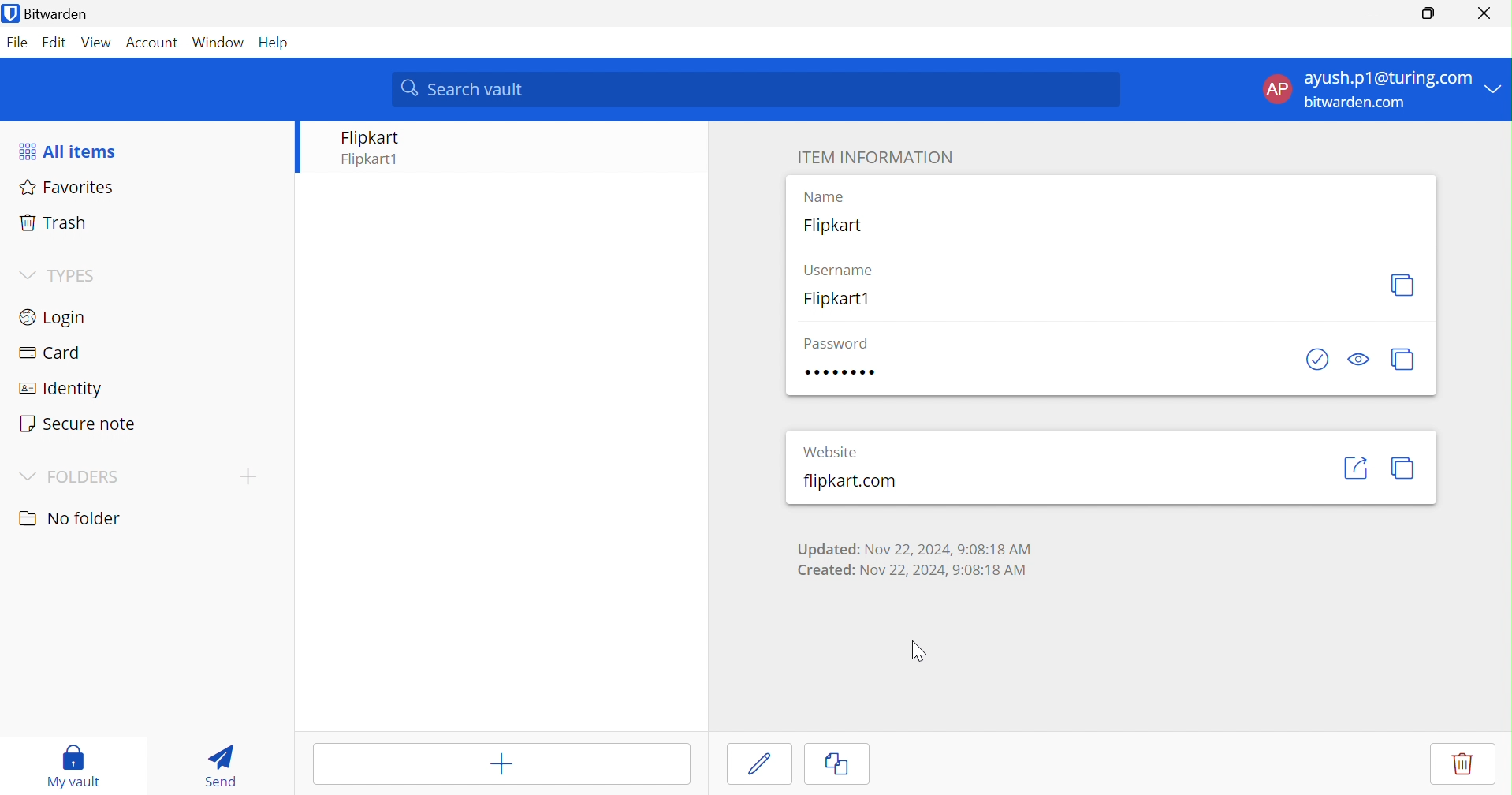 This screenshot has height=795, width=1512. I want to click on Drop Down, so click(28, 477).